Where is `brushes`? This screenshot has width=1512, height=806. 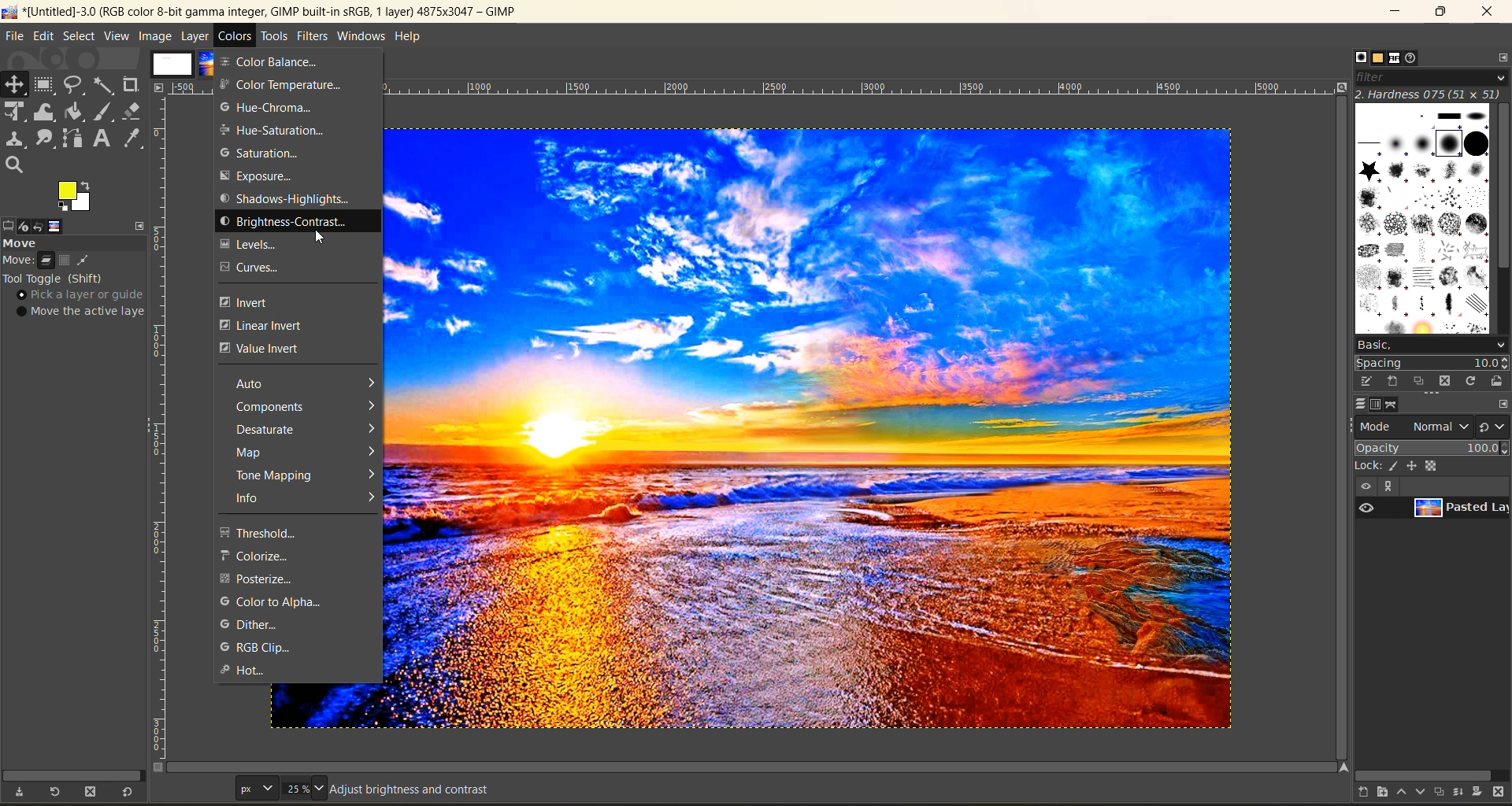
brushes is located at coordinates (1361, 57).